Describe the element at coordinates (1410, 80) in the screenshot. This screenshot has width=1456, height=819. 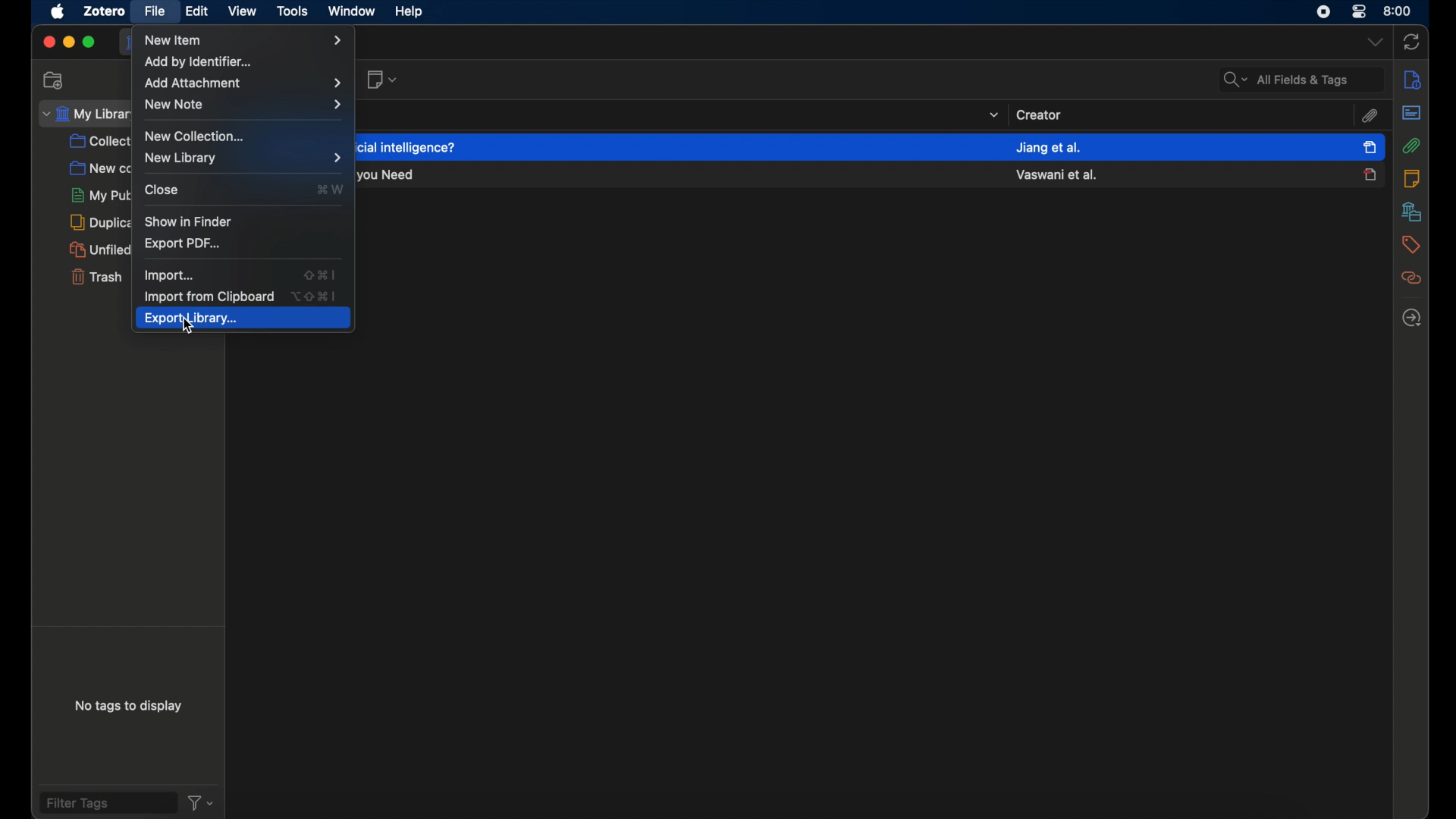
I see `info` at that location.